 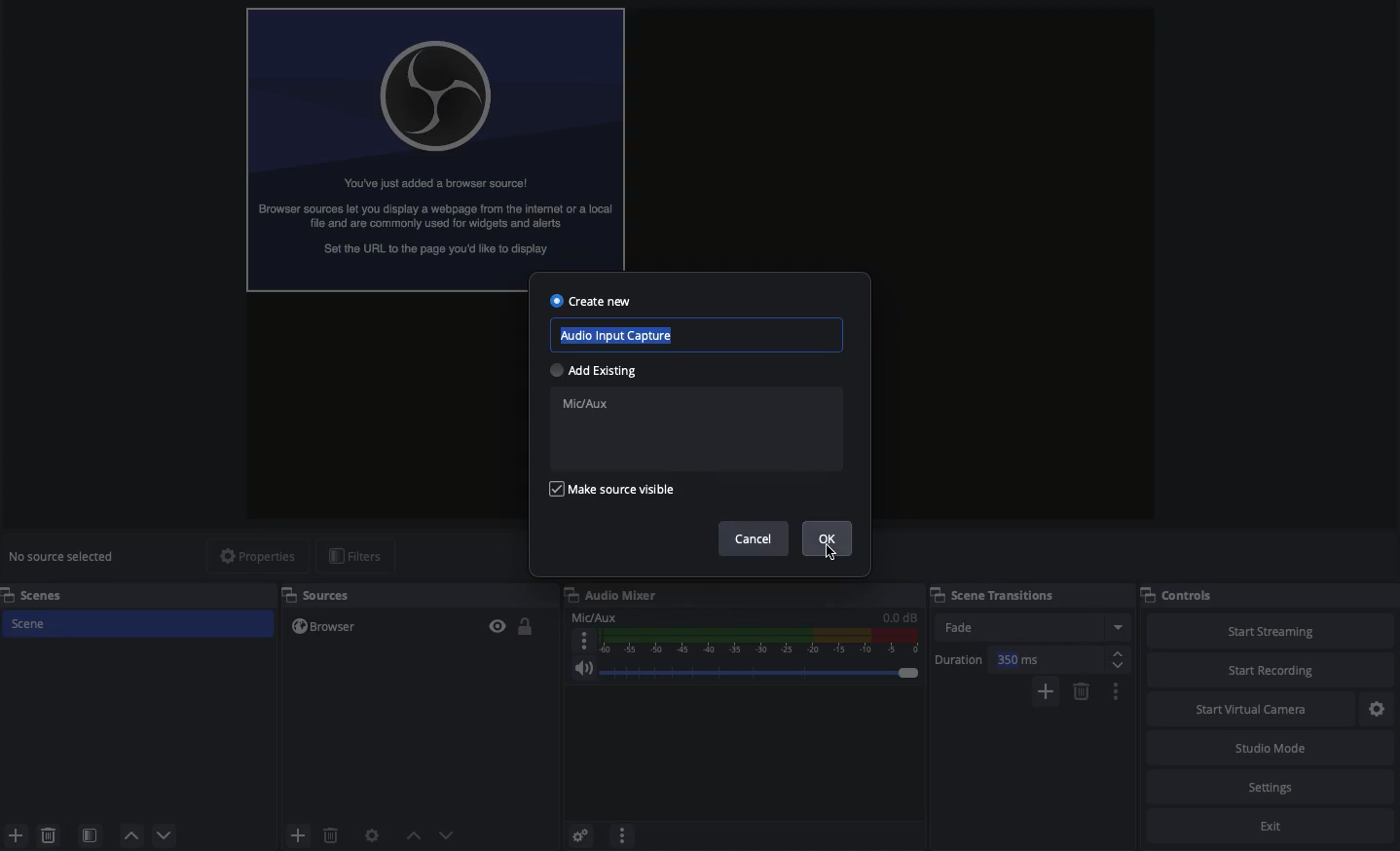 What do you see at coordinates (413, 835) in the screenshot?
I see `Move up` at bounding box center [413, 835].